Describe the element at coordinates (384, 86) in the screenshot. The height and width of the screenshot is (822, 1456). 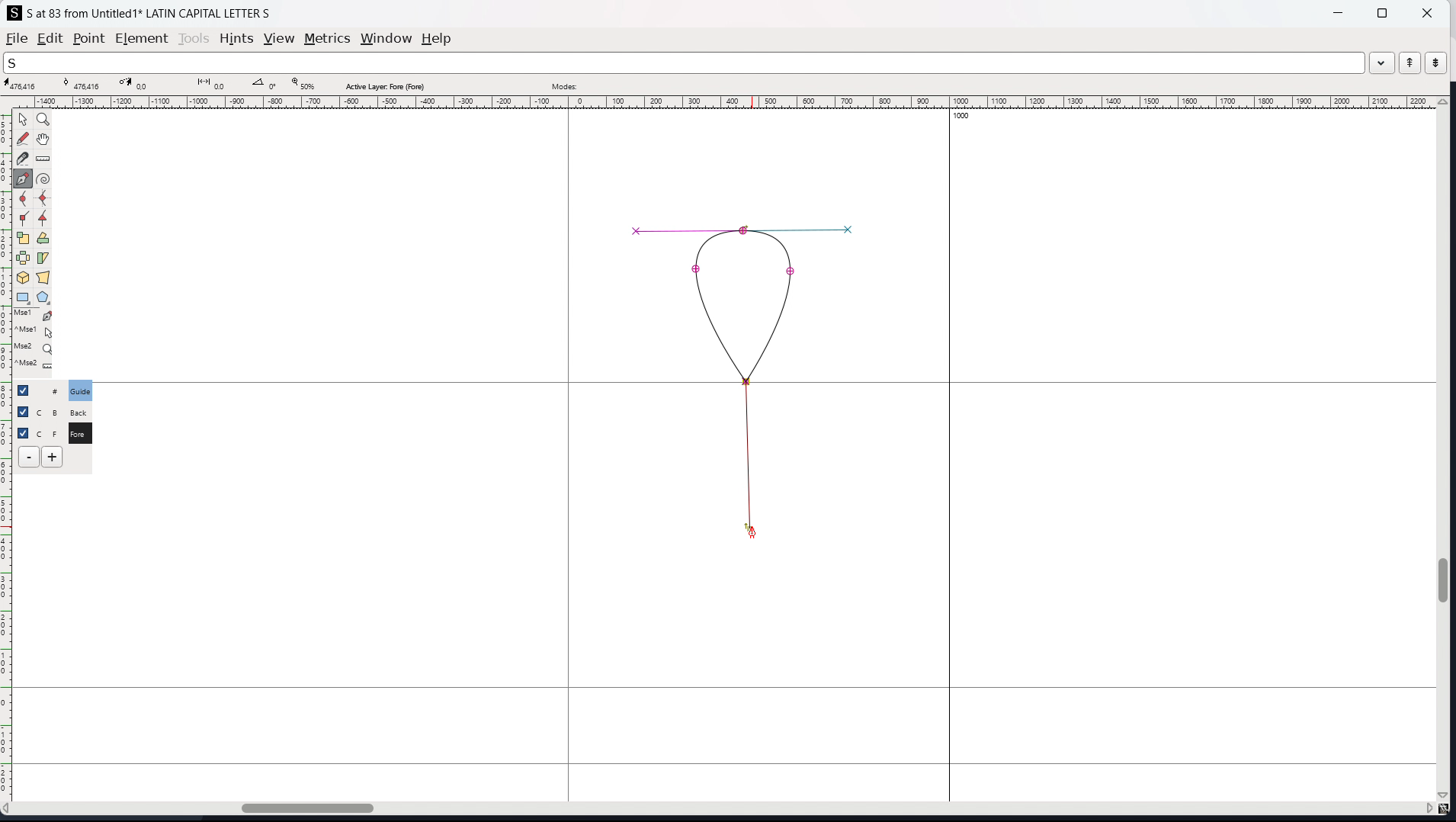
I see `active layer` at that location.